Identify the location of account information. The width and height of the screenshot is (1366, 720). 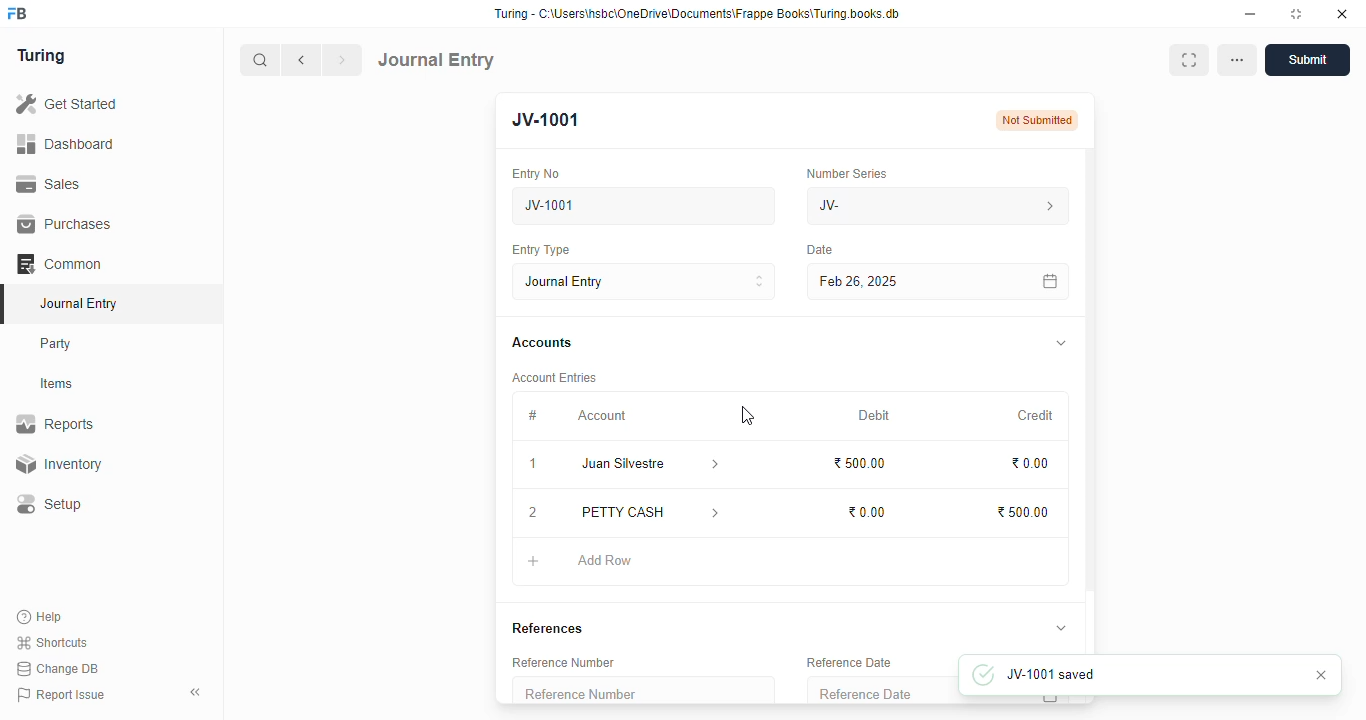
(713, 512).